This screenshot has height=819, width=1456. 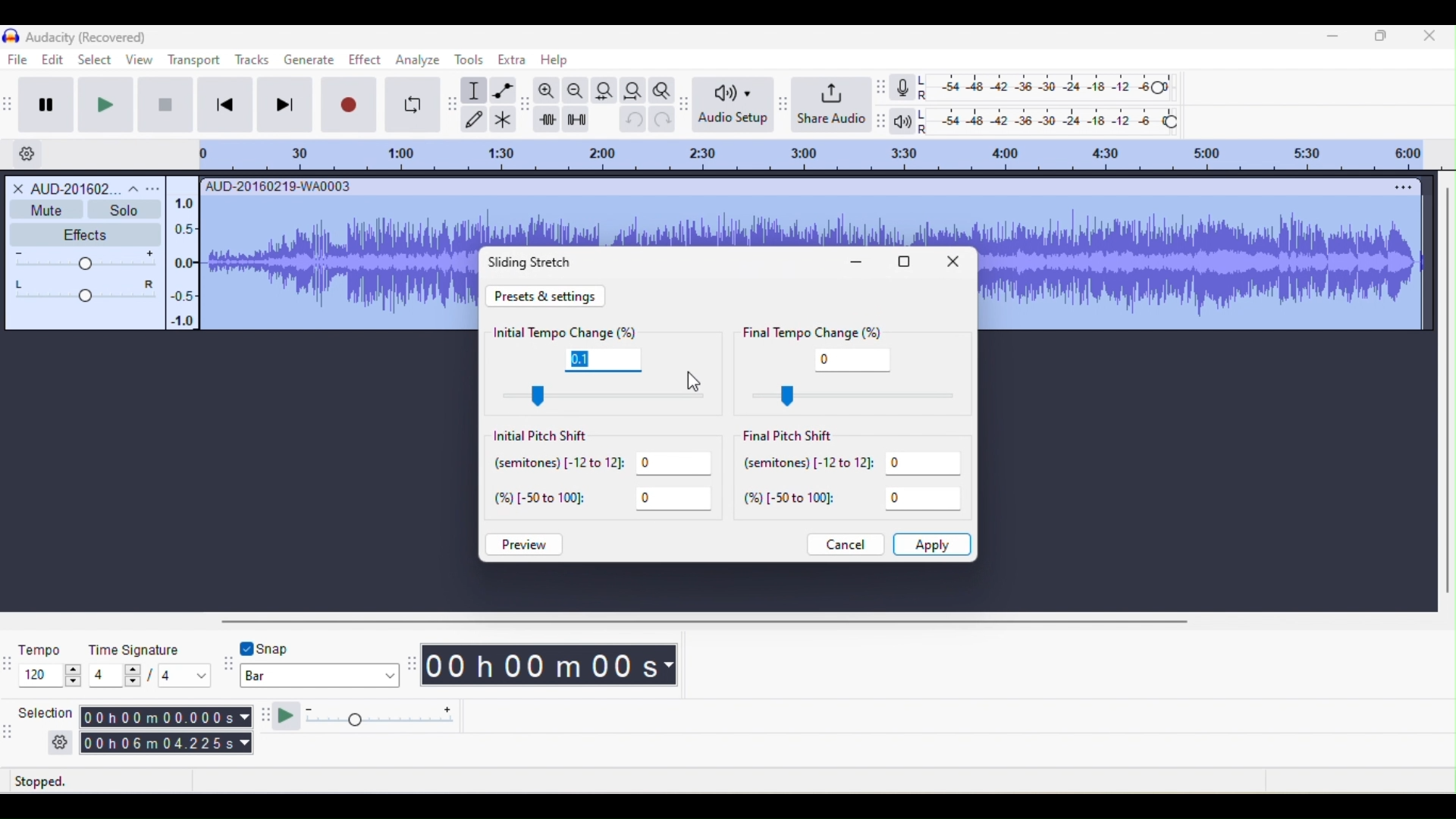 I want to click on cancel, so click(x=846, y=544).